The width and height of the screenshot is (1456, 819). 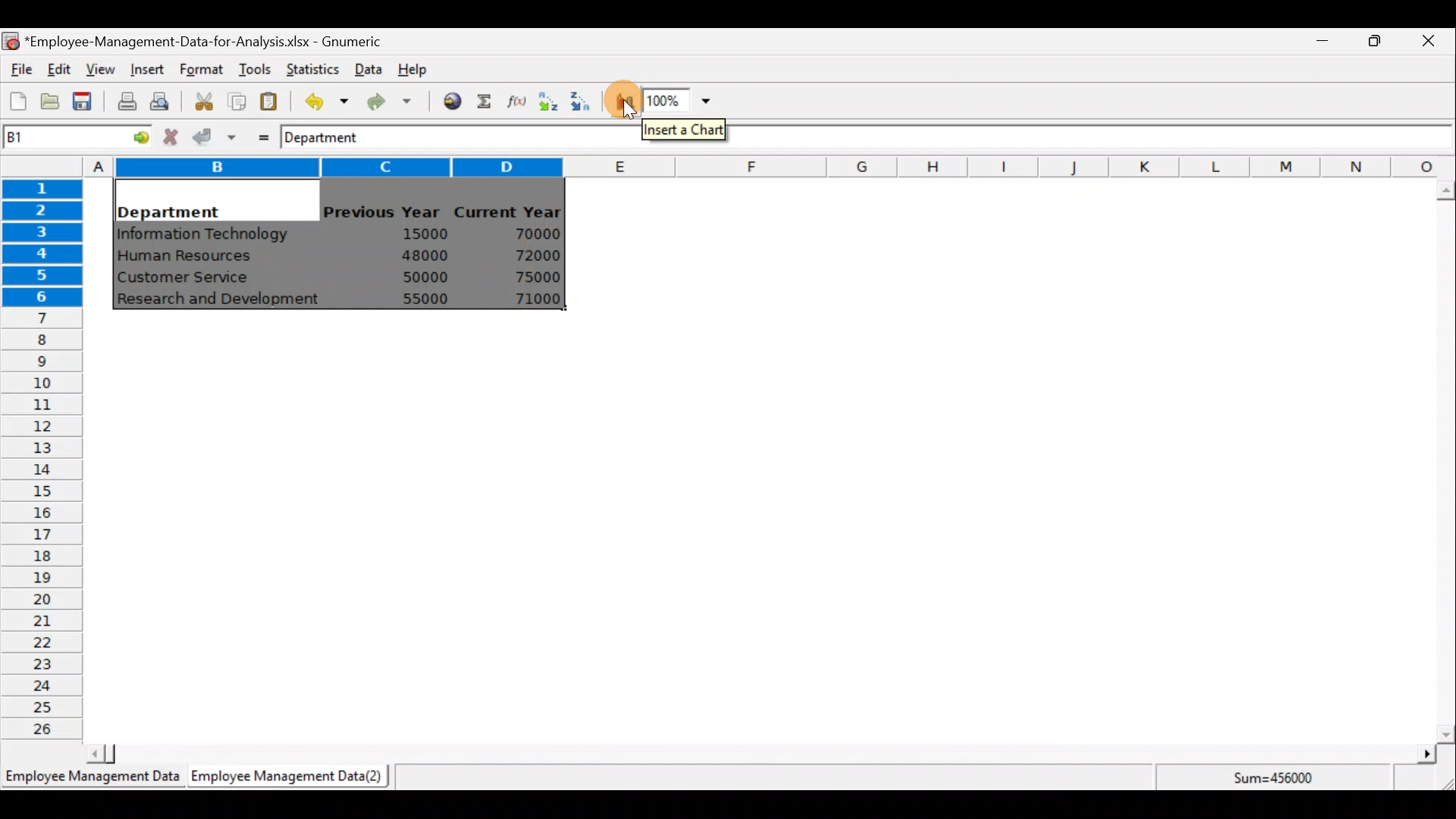 I want to click on Open a file, so click(x=54, y=103).